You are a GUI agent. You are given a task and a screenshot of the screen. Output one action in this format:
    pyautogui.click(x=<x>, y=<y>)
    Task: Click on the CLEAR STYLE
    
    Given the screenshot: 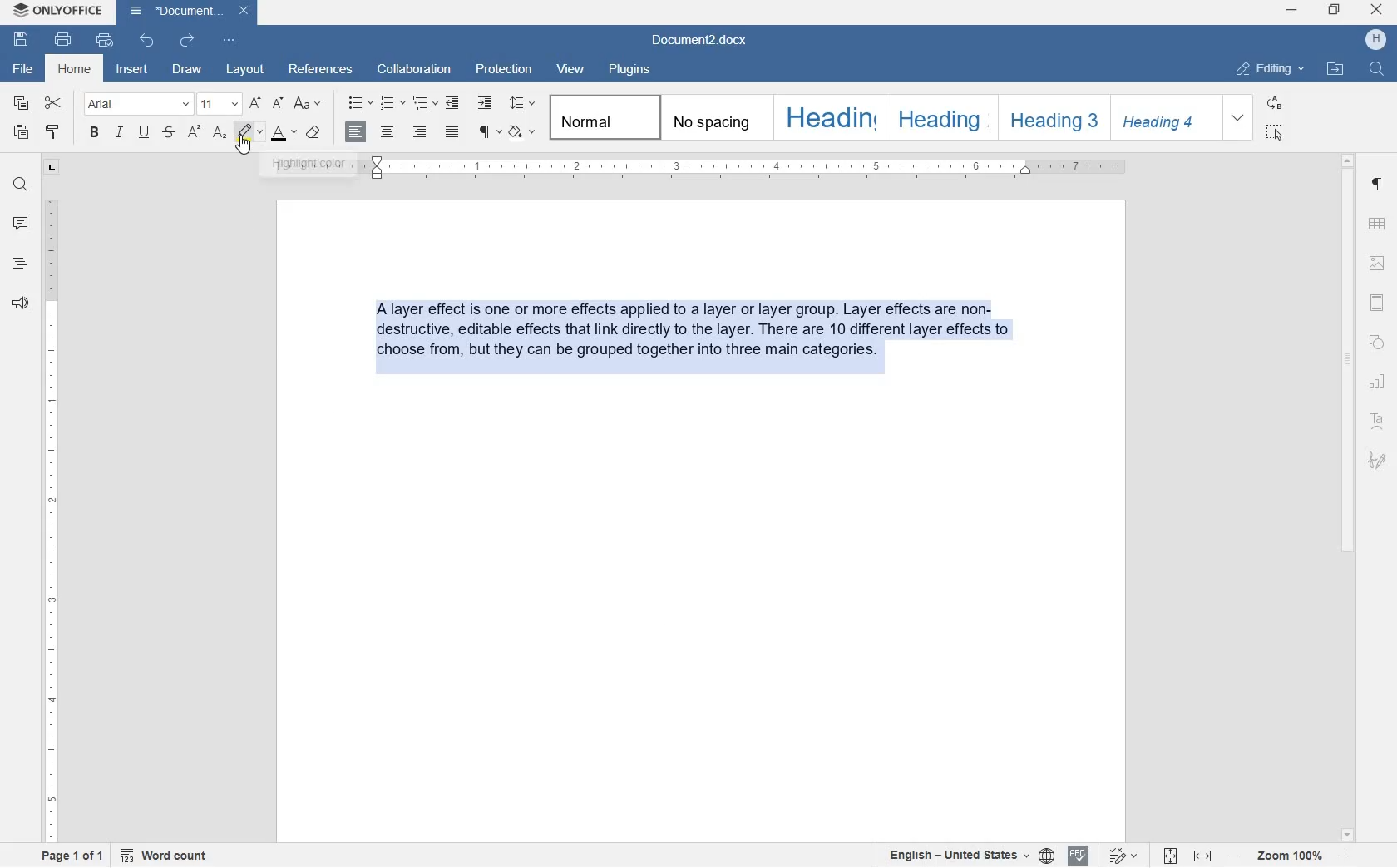 What is the action you would take?
    pyautogui.click(x=313, y=134)
    